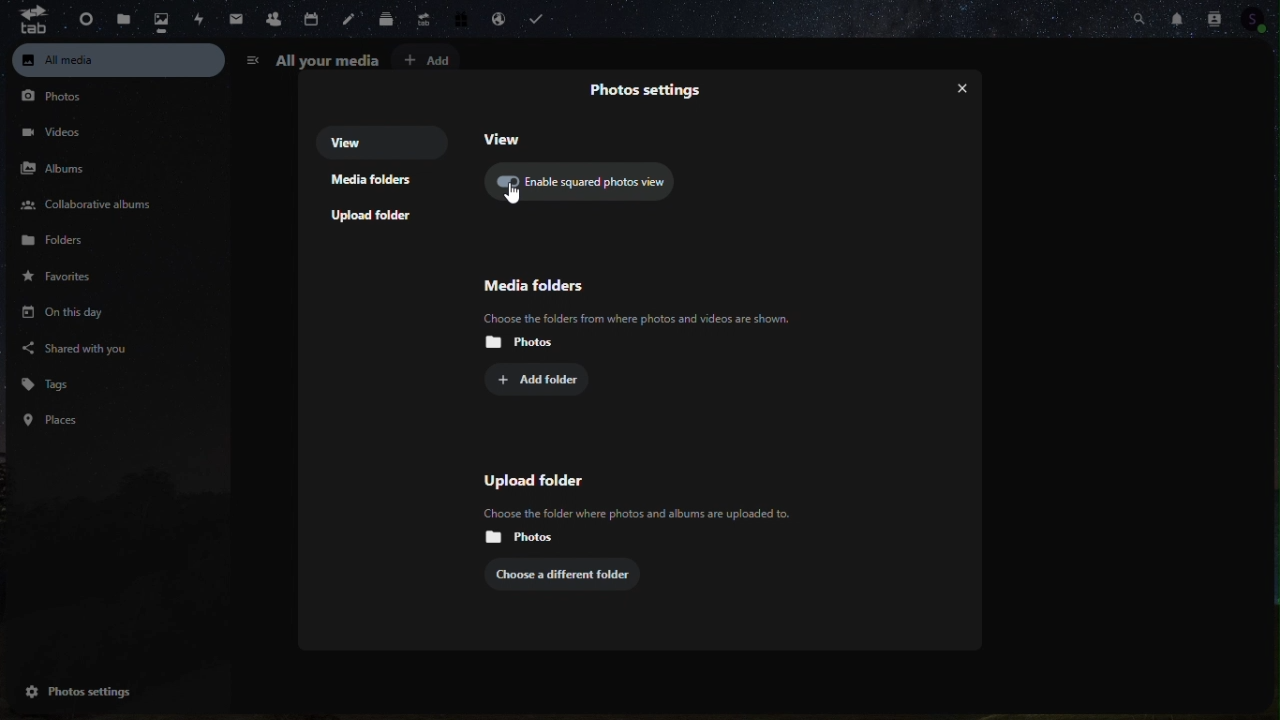 The height and width of the screenshot is (720, 1280). What do you see at coordinates (63, 168) in the screenshot?
I see `Albums ` at bounding box center [63, 168].